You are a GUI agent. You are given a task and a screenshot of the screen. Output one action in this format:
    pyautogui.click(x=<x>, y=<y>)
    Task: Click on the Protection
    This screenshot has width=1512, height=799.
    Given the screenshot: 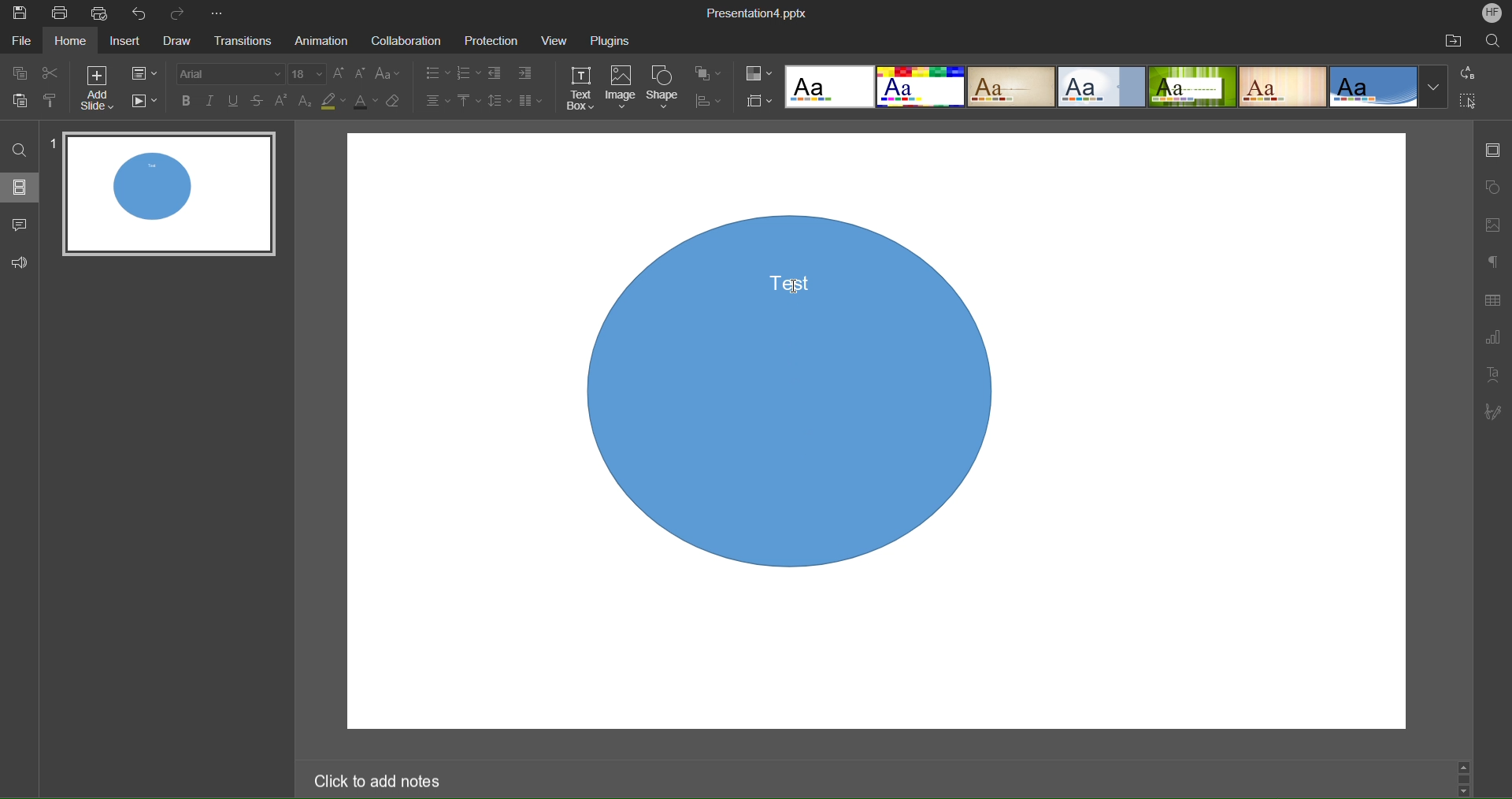 What is the action you would take?
    pyautogui.click(x=495, y=36)
    